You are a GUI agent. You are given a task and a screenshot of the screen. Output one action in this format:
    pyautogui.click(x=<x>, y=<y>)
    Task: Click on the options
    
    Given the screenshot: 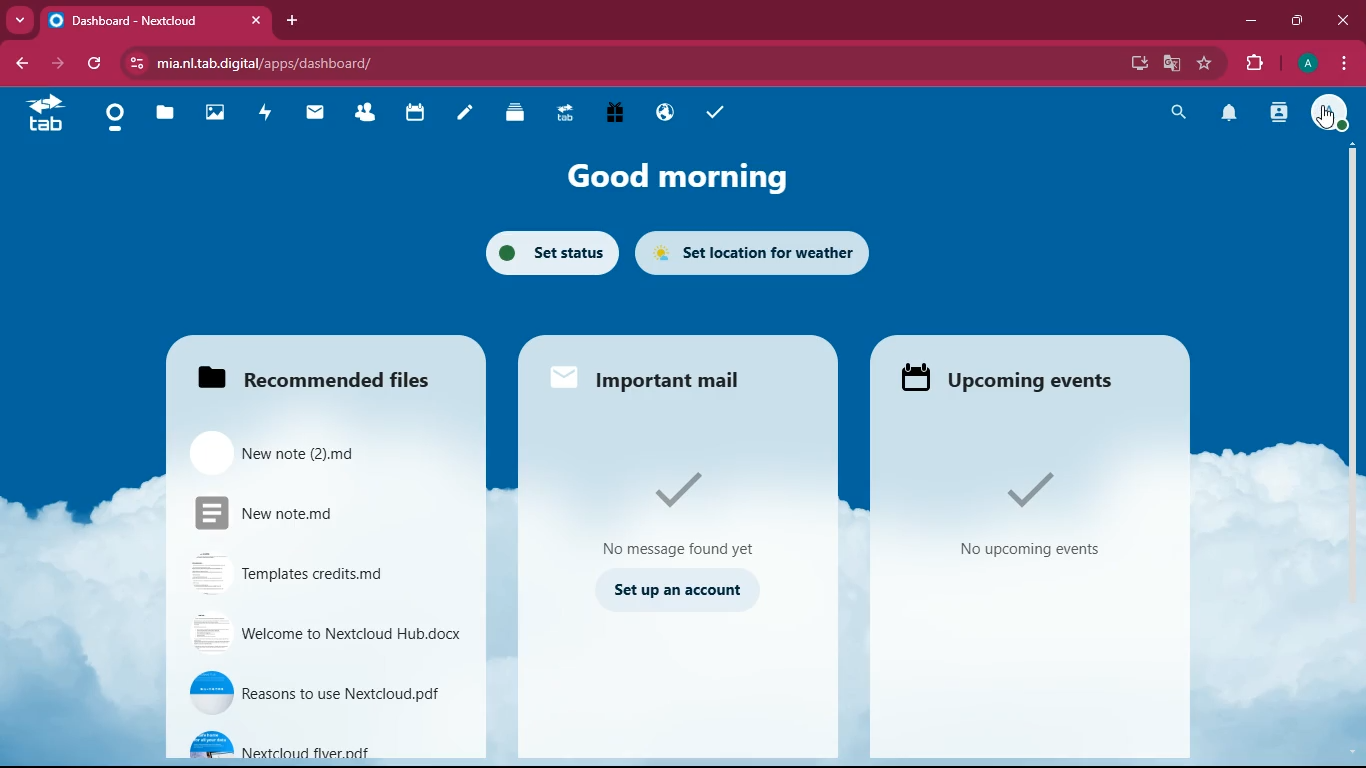 What is the action you would take?
    pyautogui.click(x=1344, y=63)
    